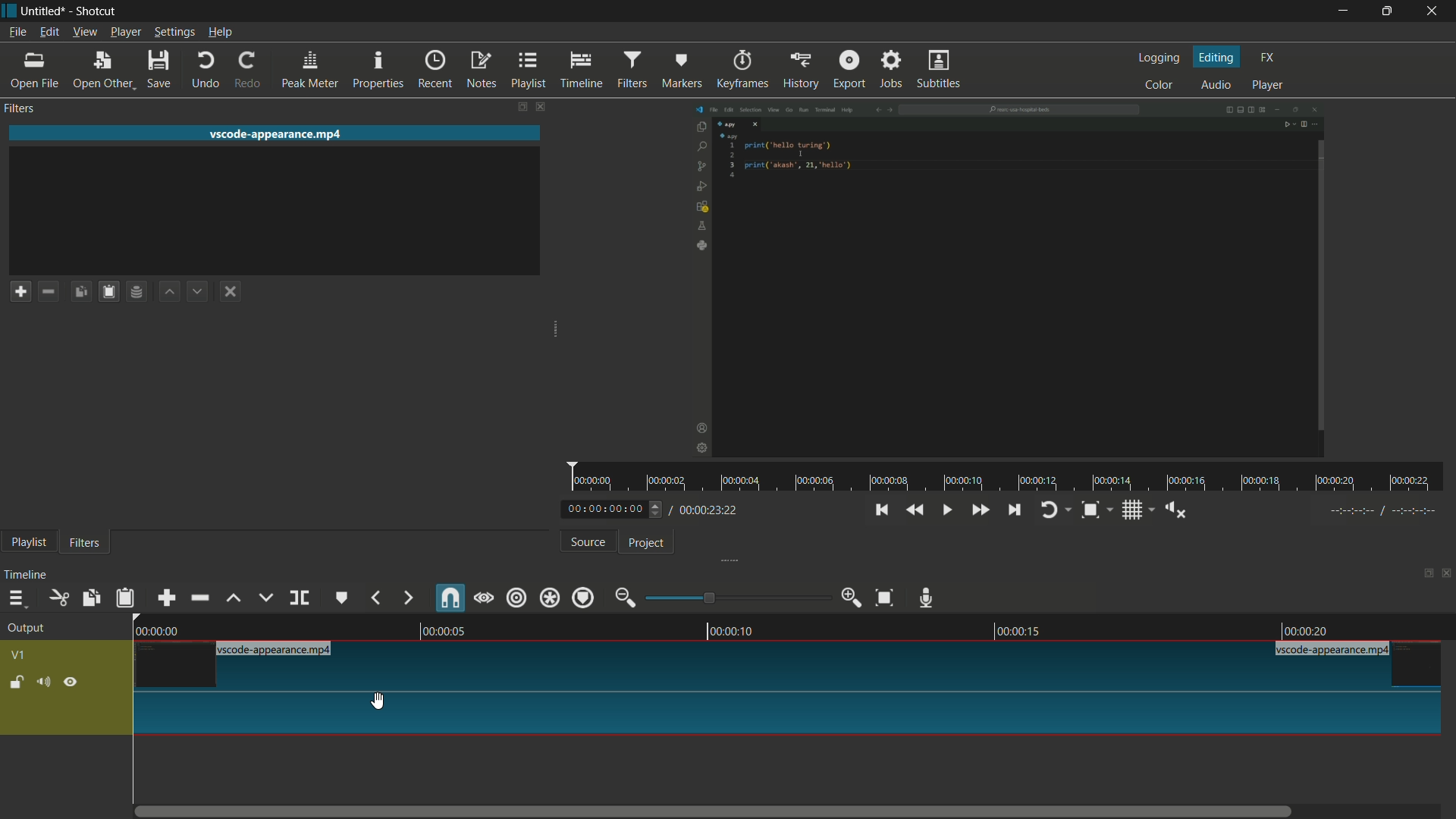 Image resolution: width=1456 pixels, height=819 pixels. I want to click on close timeline, so click(1447, 573).